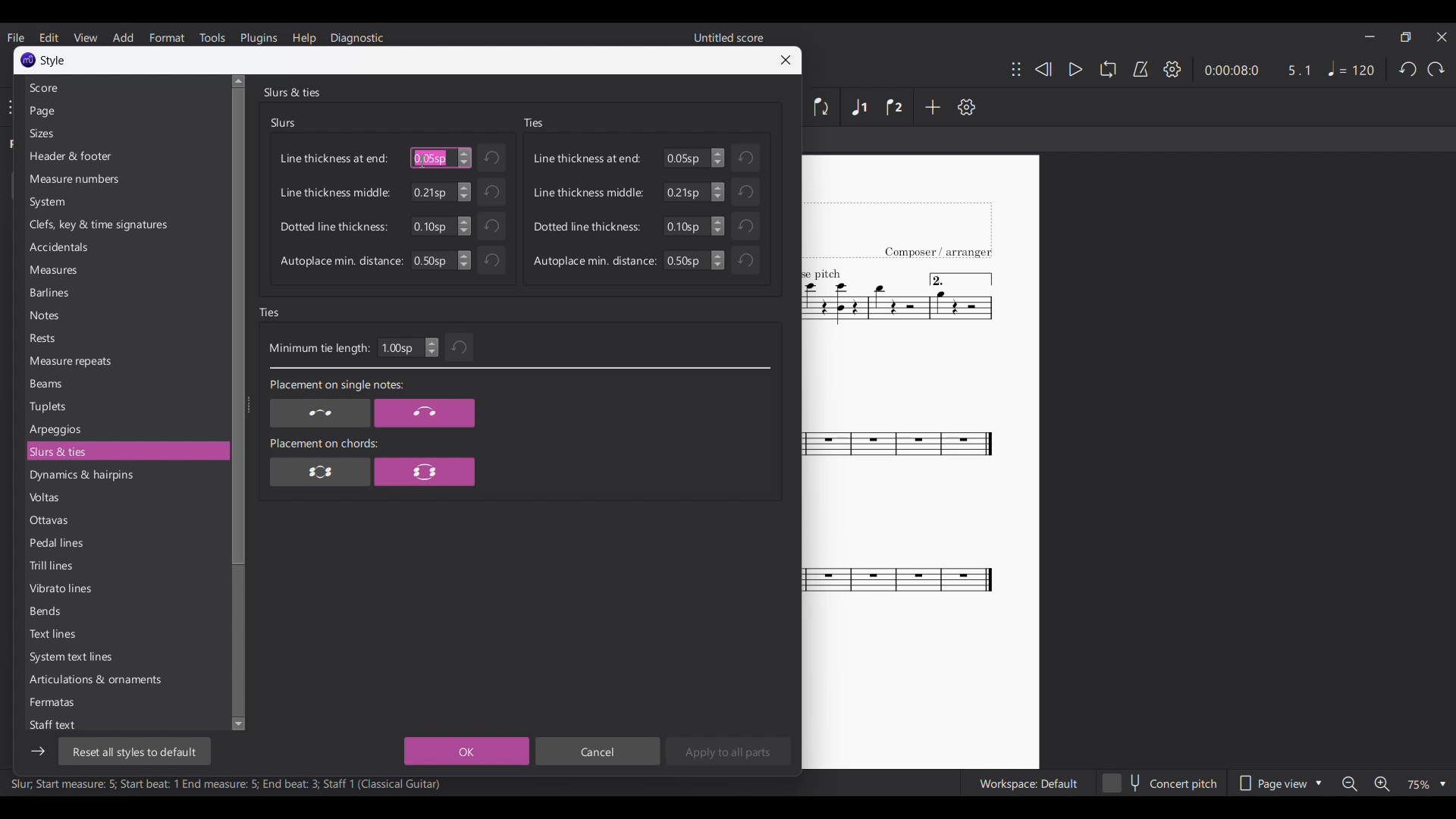  What do you see at coordinates (125, 657) in the screenshot?
I see `System text lines` at bounding box center [125, 657].